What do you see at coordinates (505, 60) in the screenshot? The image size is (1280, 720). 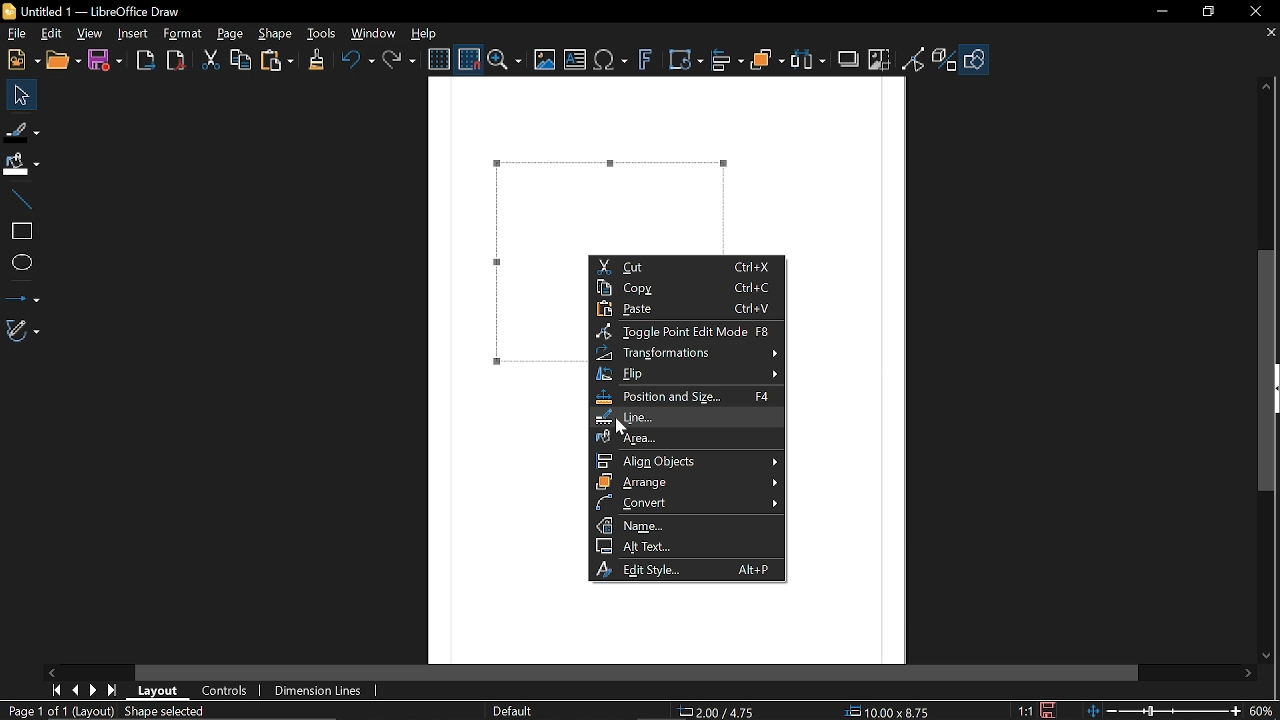 I see `Zoom` at bounding box center [505, 60].